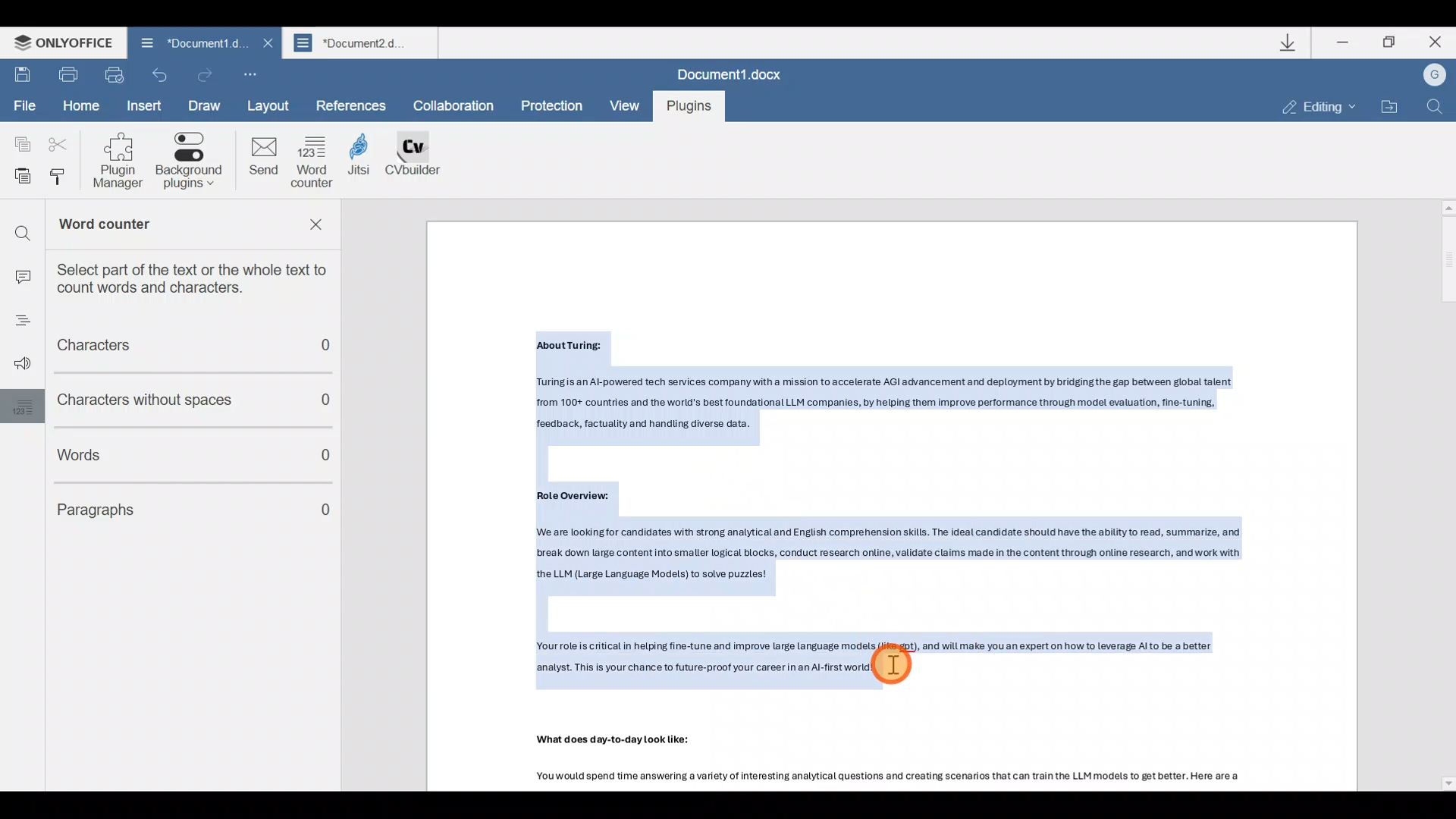 The height and width of the screenshot is (819, 1456). I want to click on Plugin manager, so click(124, 161).